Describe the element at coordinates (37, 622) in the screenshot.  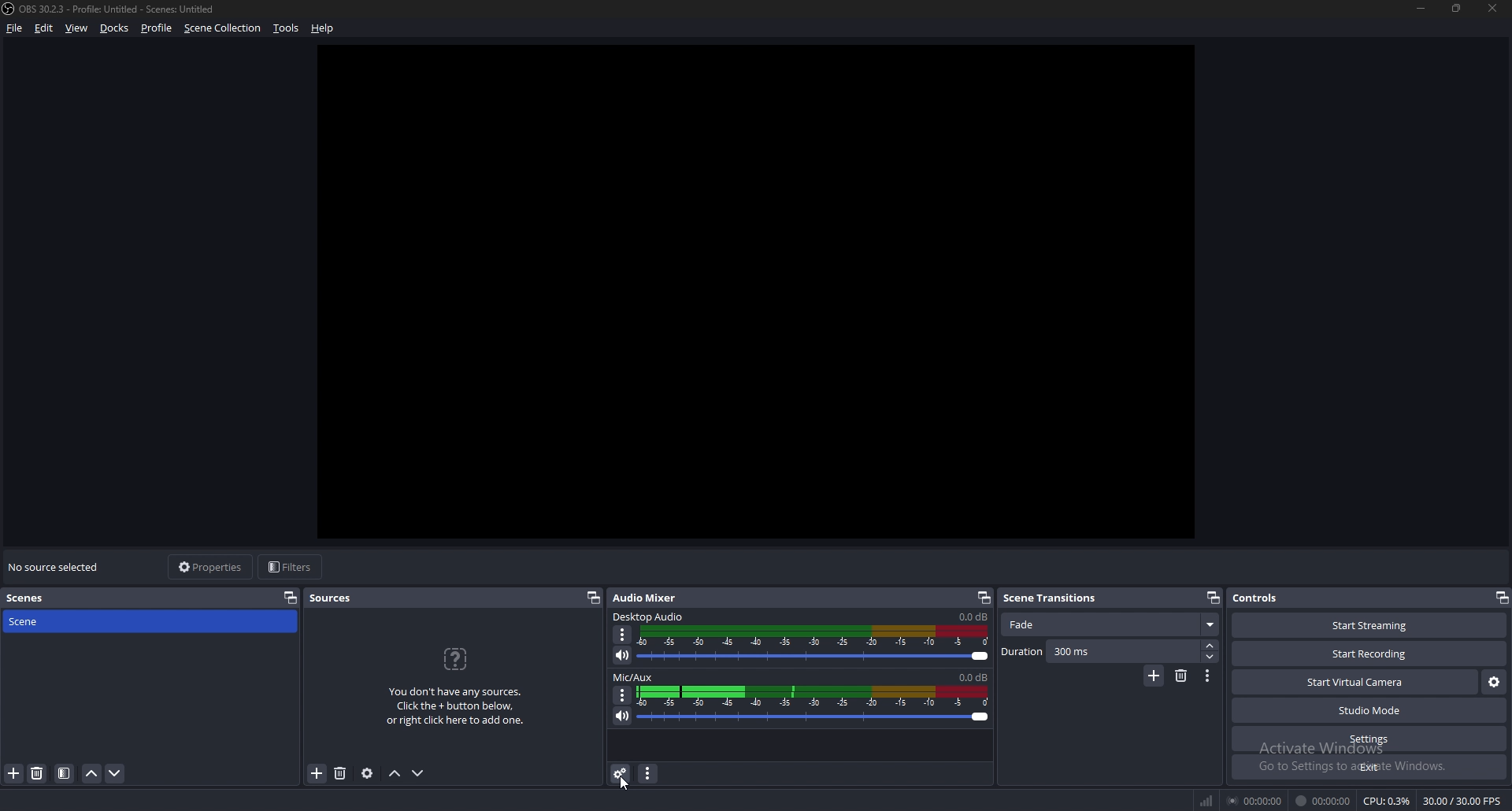
I see `scene` at that location.